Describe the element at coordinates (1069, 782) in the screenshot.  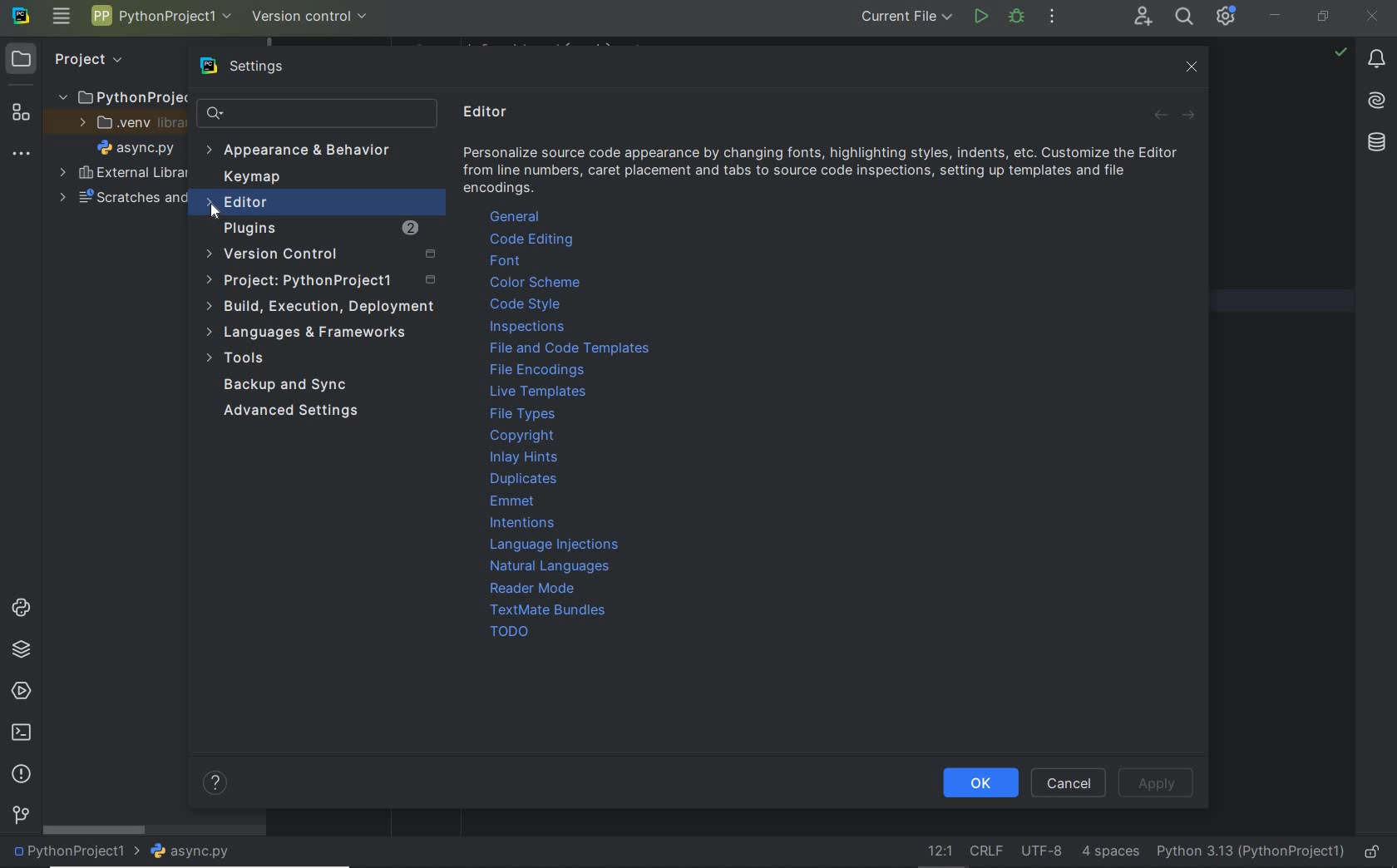
I see `CANCEL` at that location.